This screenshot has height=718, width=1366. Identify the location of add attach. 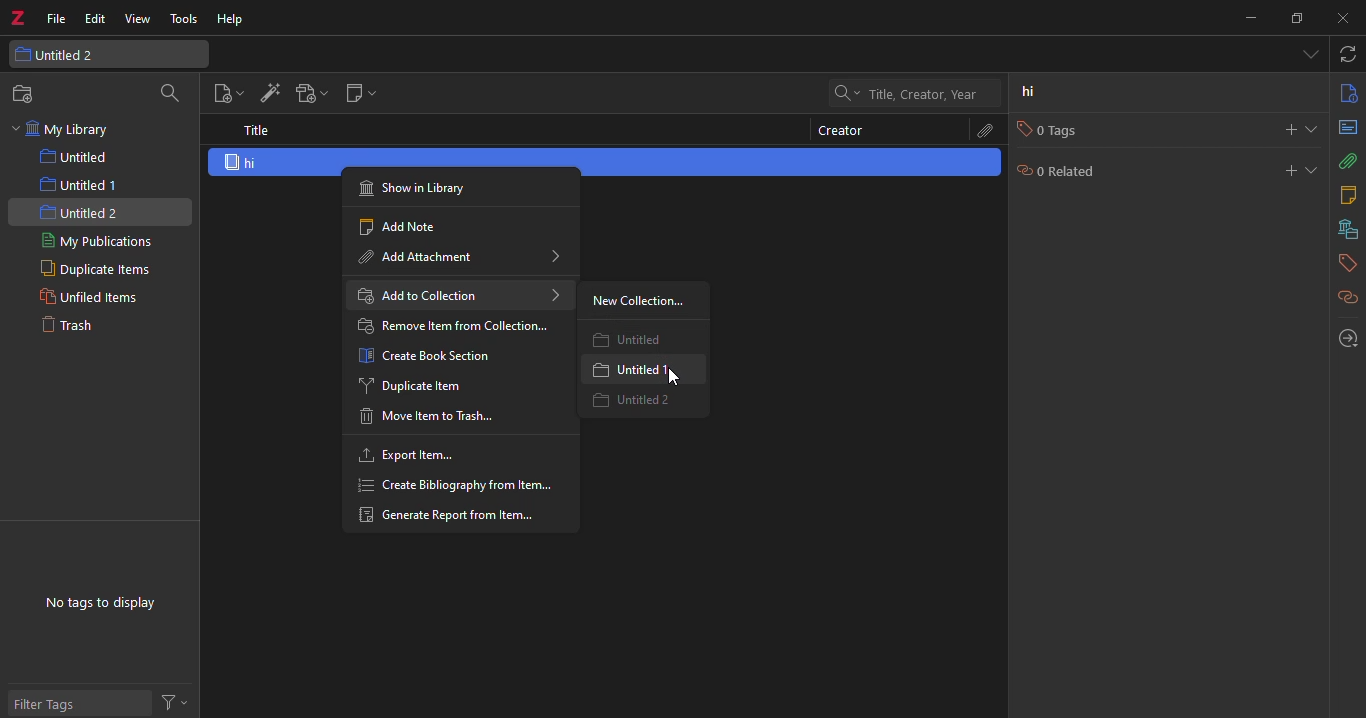
(309, 95).